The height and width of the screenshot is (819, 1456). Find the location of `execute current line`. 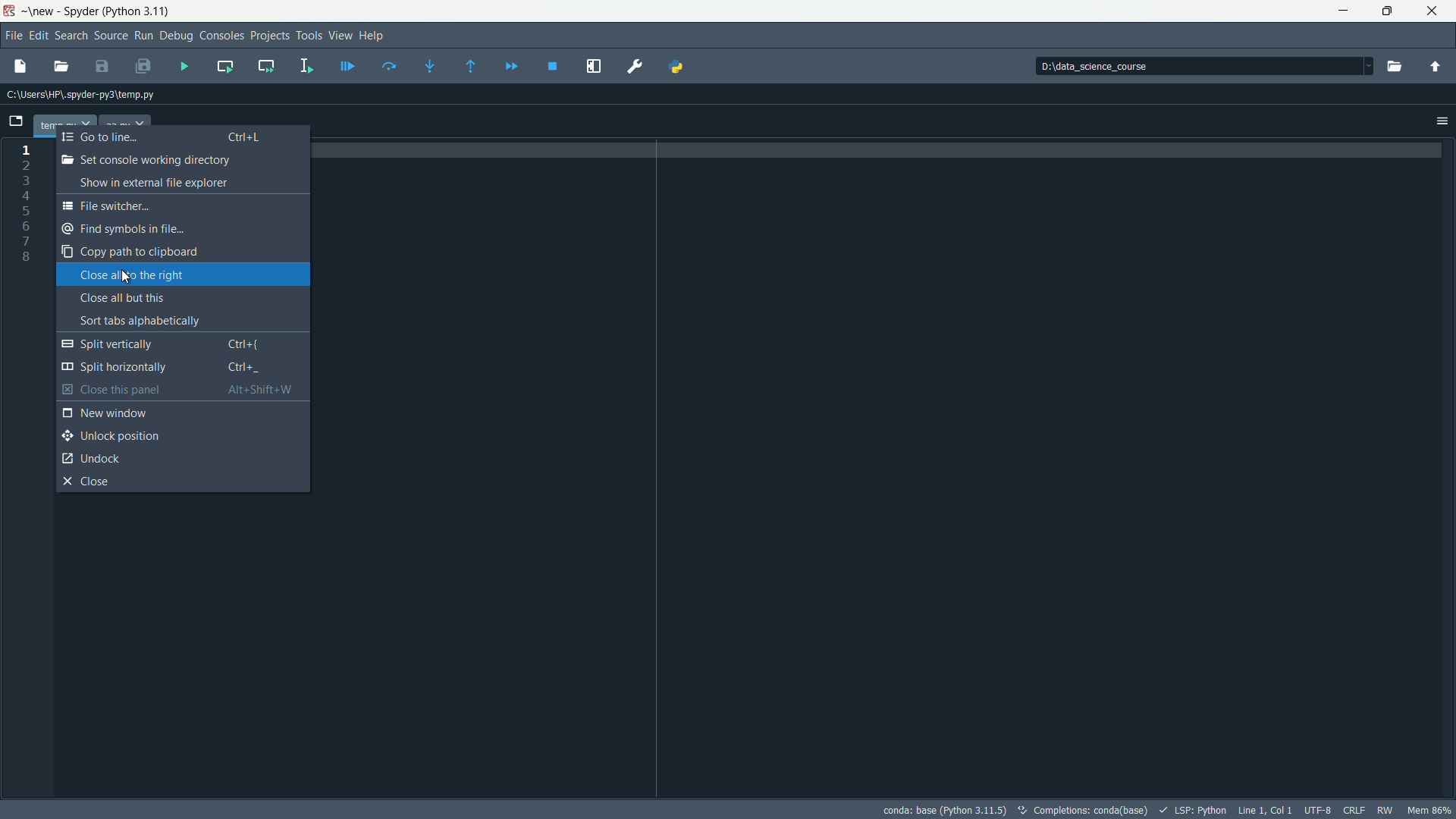

execute current line is located at coordinates (391, 65).